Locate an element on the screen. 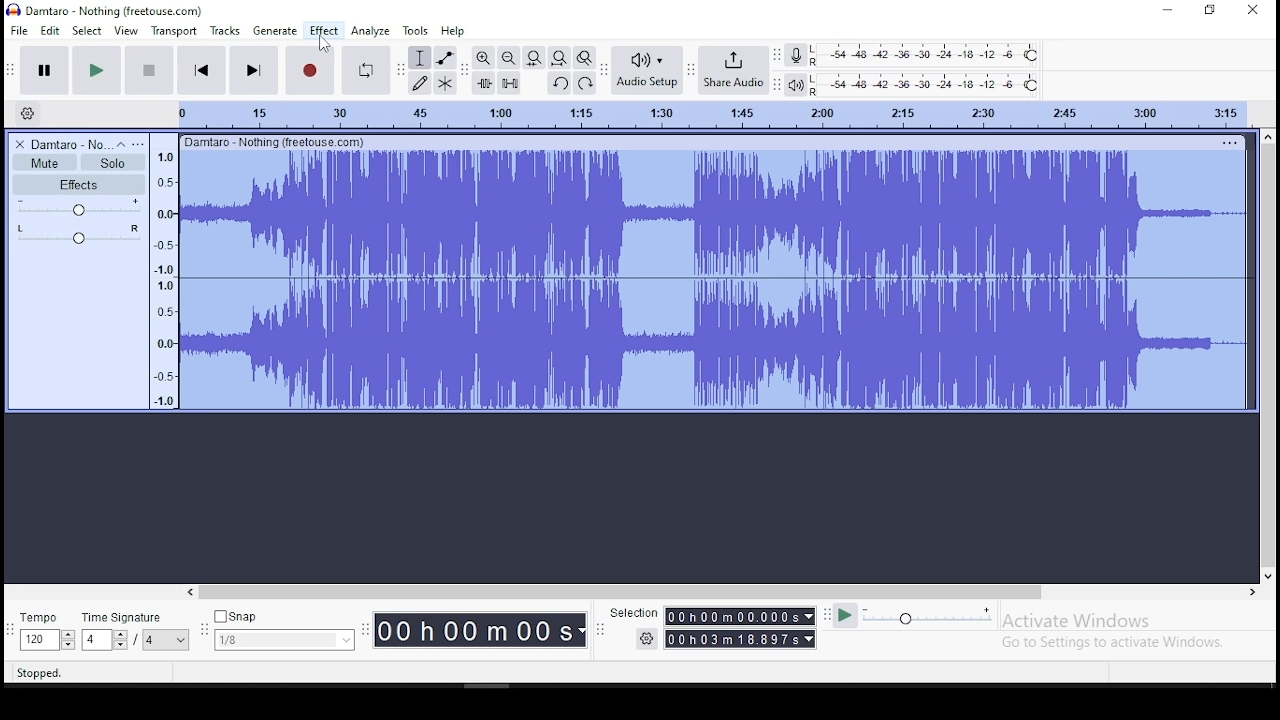 The height and width of the screenshot is (720, 1280). open menu is located at coordinates (141, 143).